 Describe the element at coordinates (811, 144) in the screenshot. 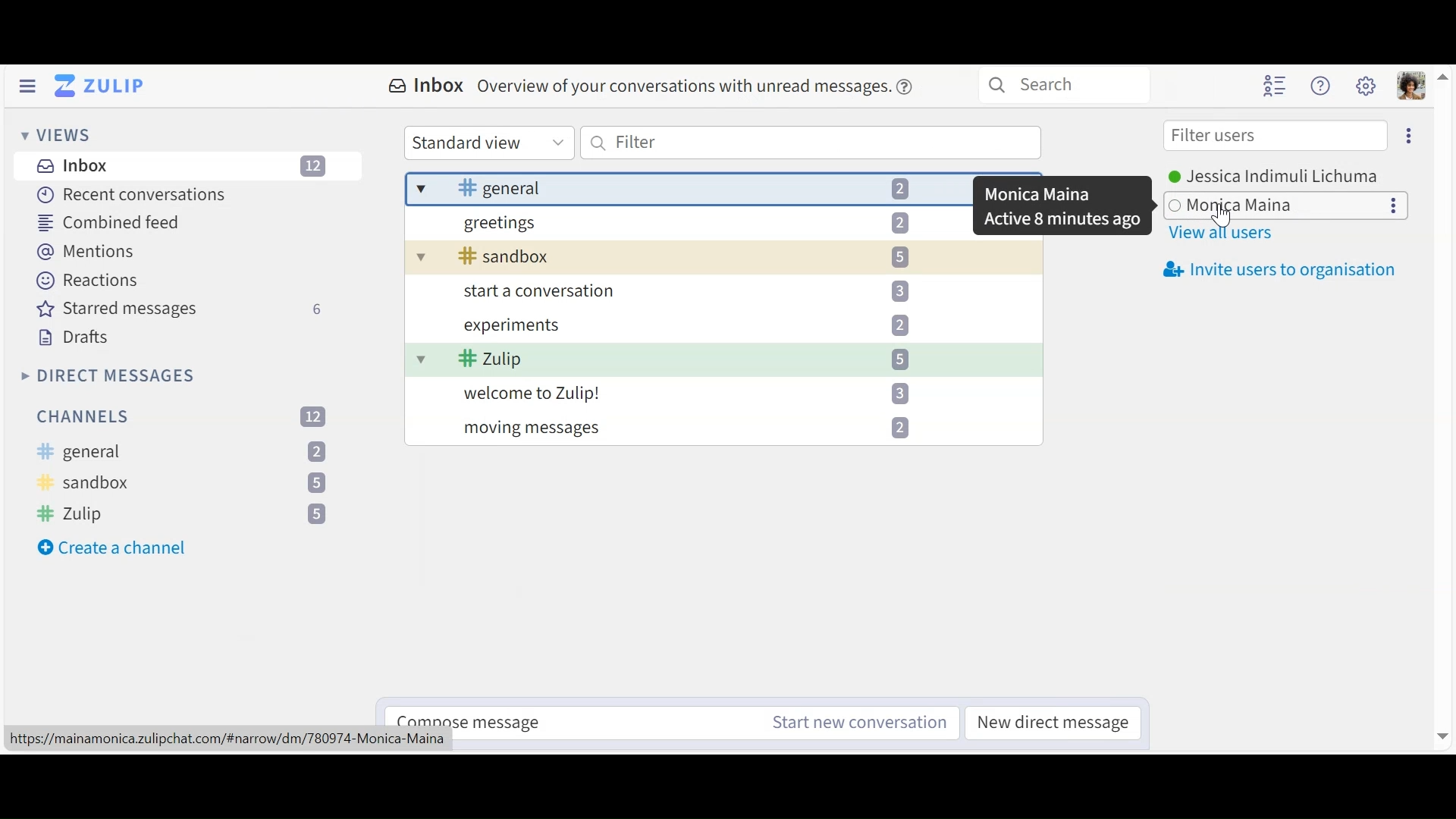

I see `Filter messages by text` at that location.